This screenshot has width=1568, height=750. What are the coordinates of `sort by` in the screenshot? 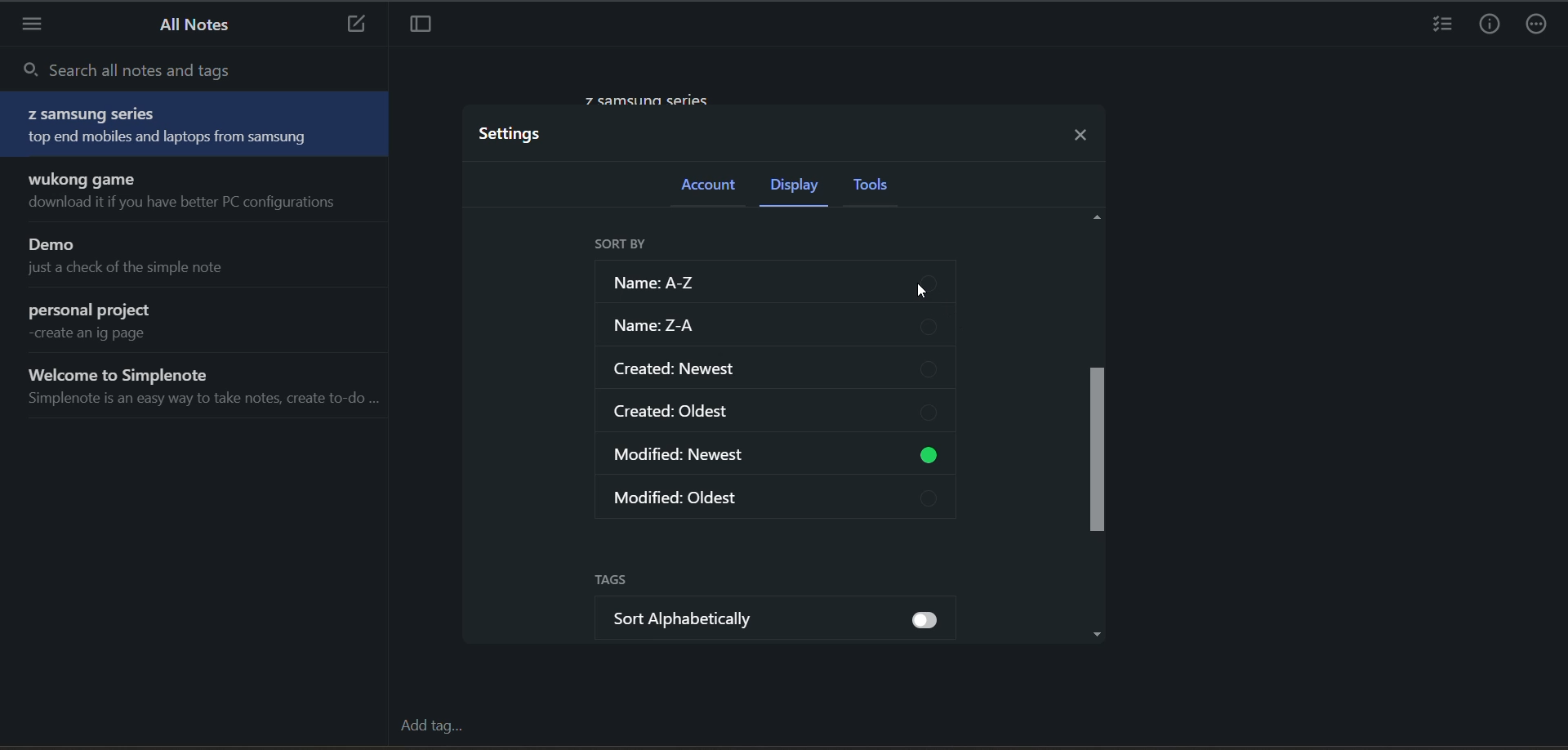 It's located at (623, 245).